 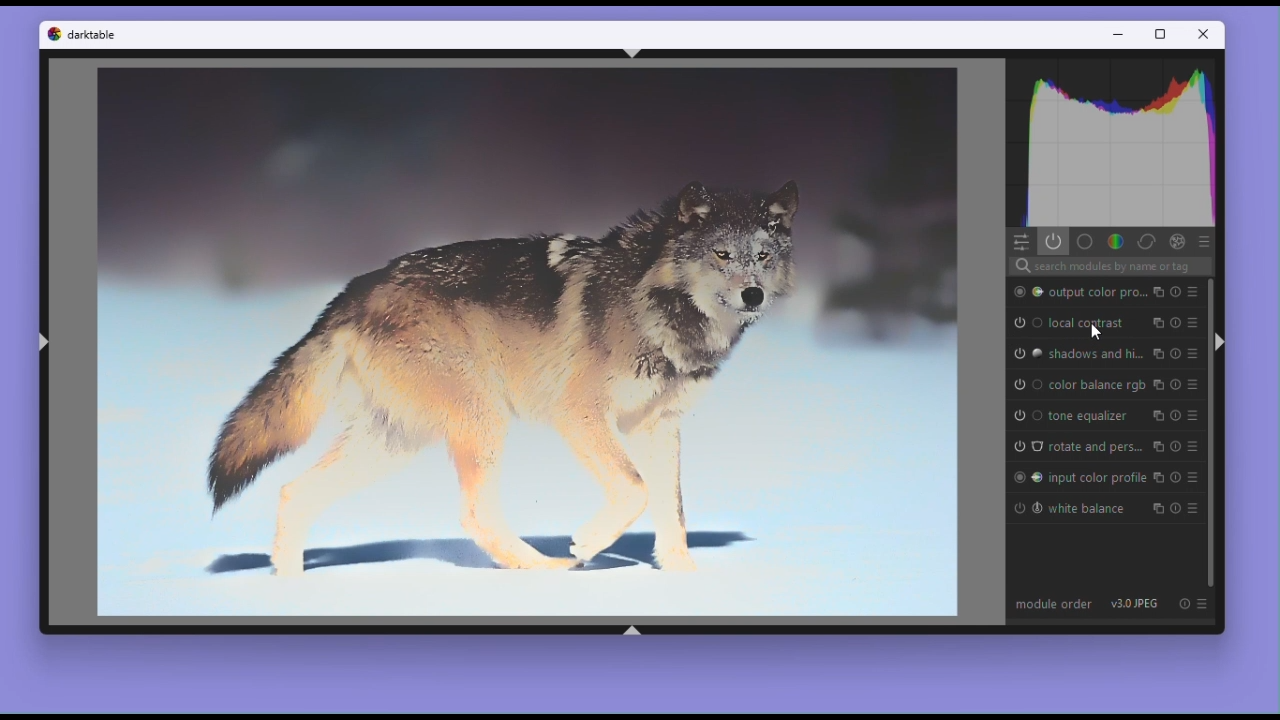 What do you see at coordinates (1155, 291) in the screenshot?
I see `Multiple instance actions` at bounding box center [1155, 291].